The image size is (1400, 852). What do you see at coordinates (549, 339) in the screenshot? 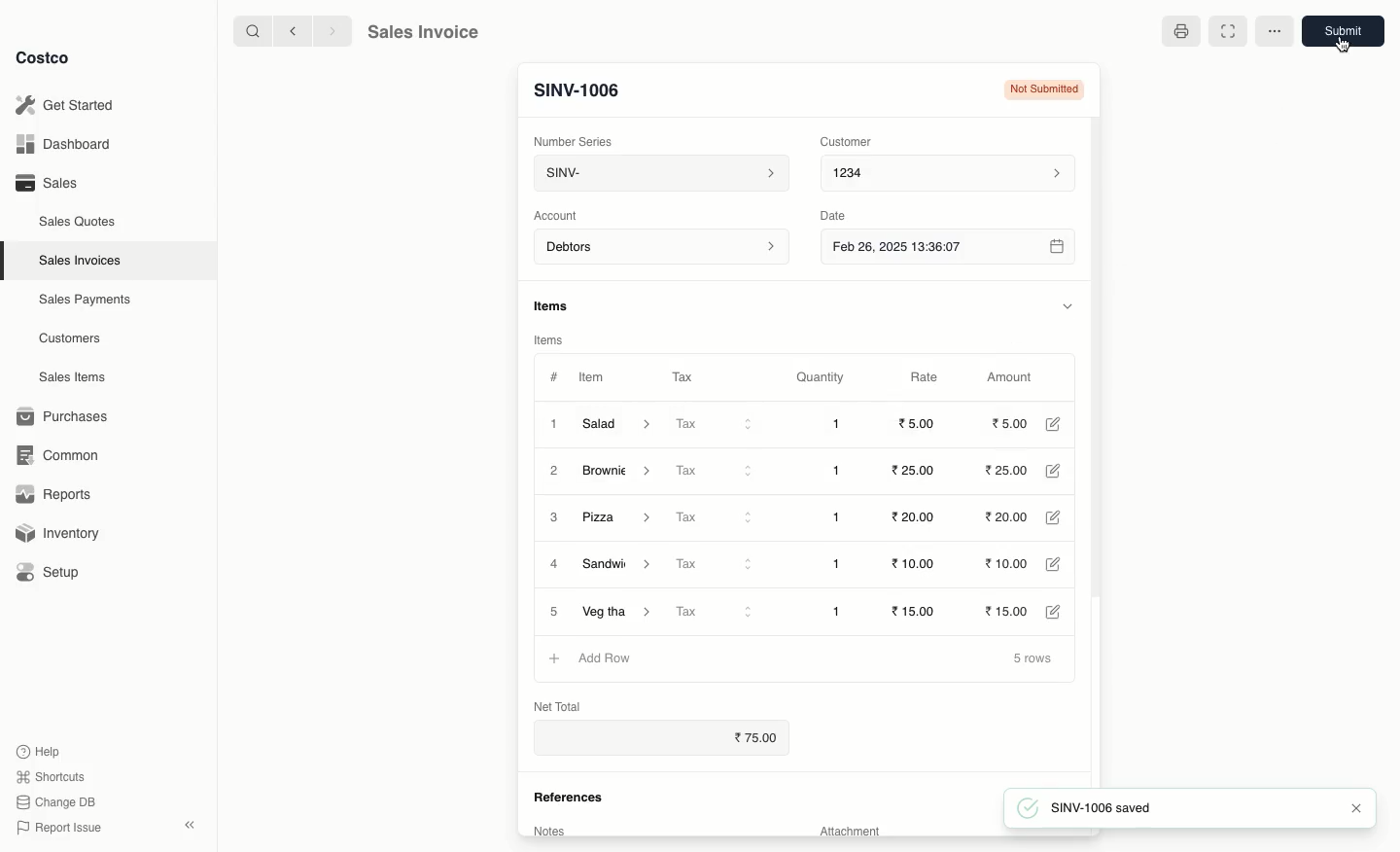
I see `Items` at bounding box center [549, 339].